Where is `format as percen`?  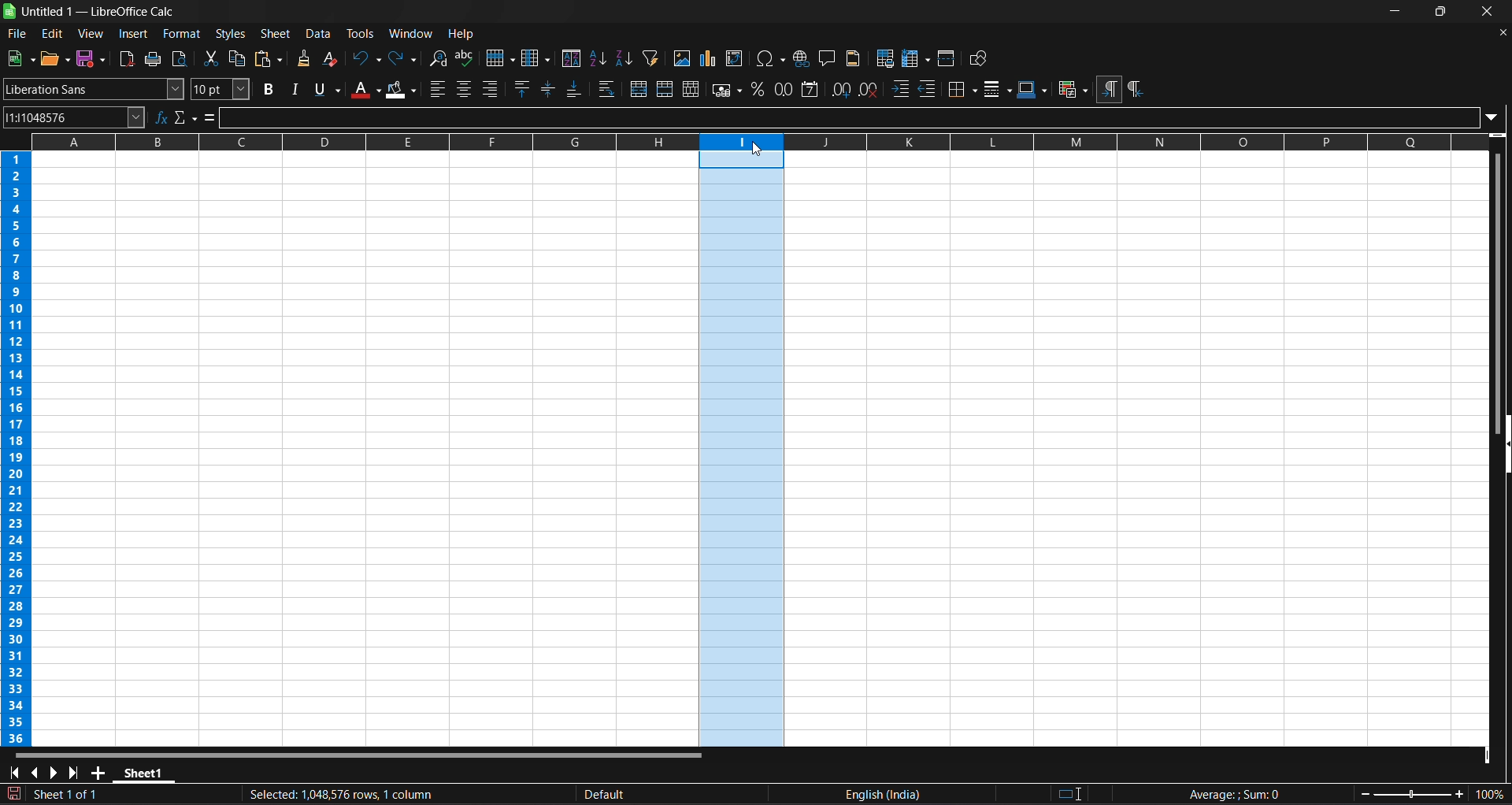 format as percen is located at coordinates (762, 90).